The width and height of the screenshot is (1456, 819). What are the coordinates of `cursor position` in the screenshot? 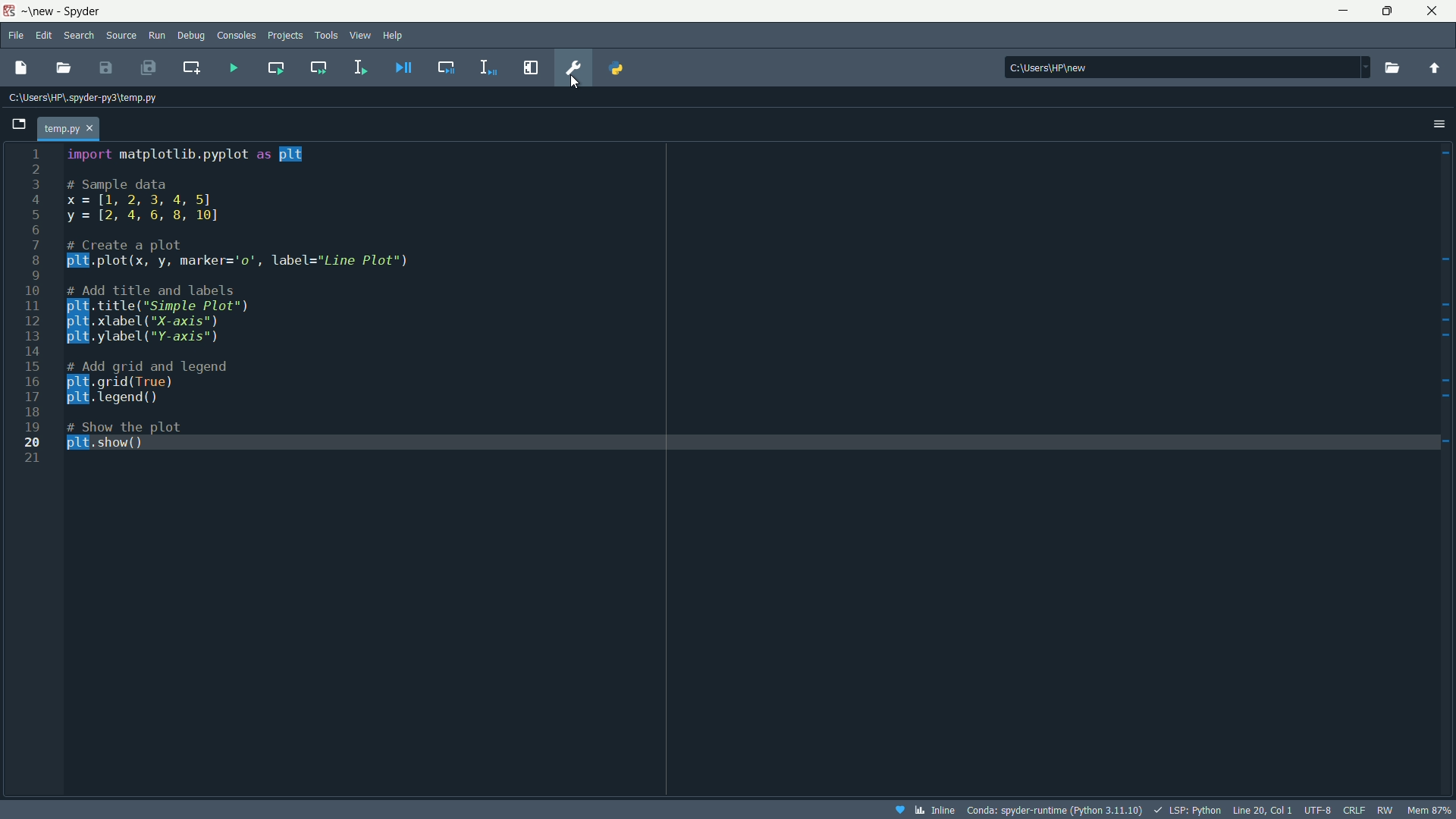 It's located at (1263, 809).